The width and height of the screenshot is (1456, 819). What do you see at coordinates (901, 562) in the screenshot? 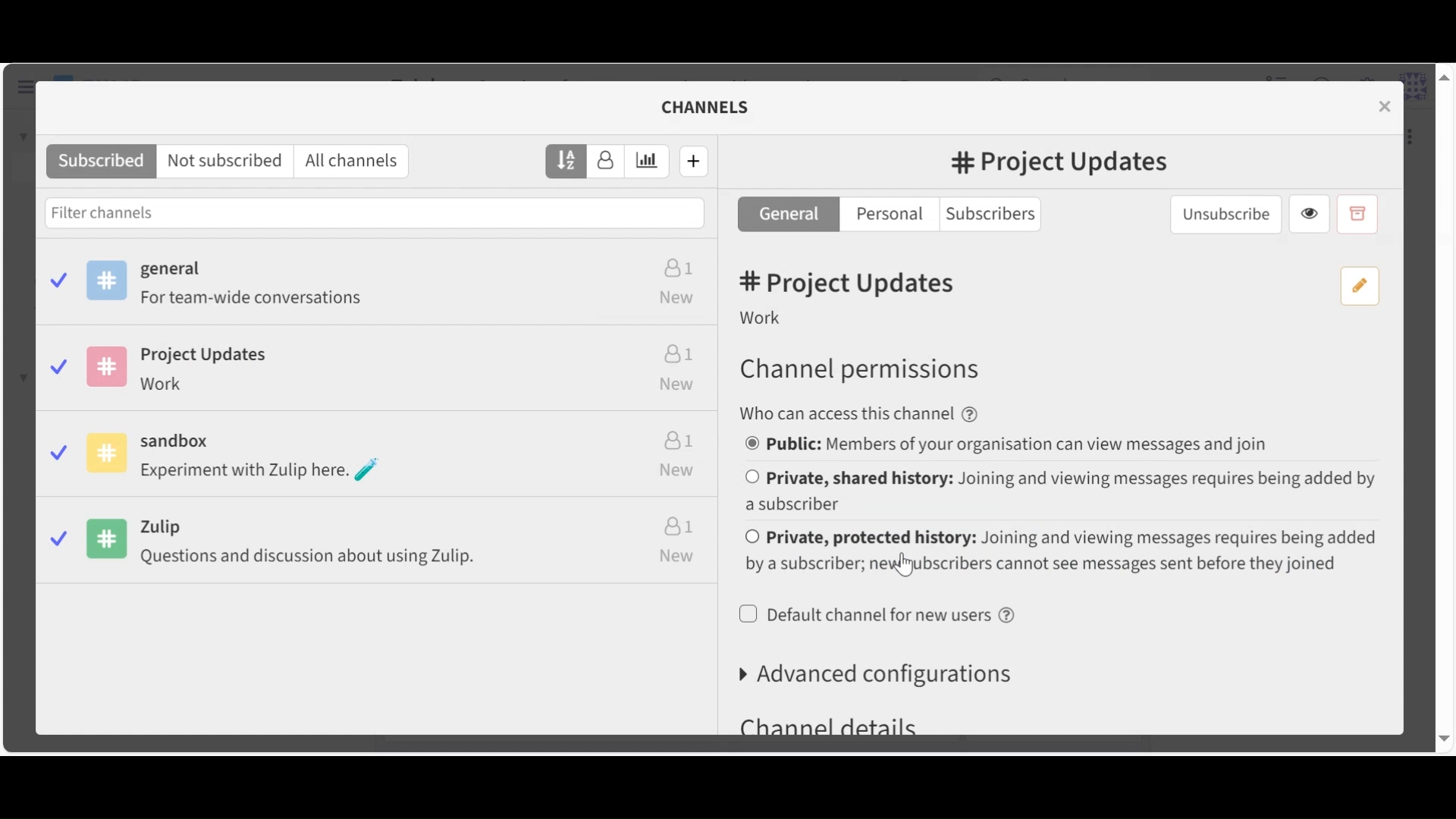
I see `cursor` at bounding box center [901, 562].